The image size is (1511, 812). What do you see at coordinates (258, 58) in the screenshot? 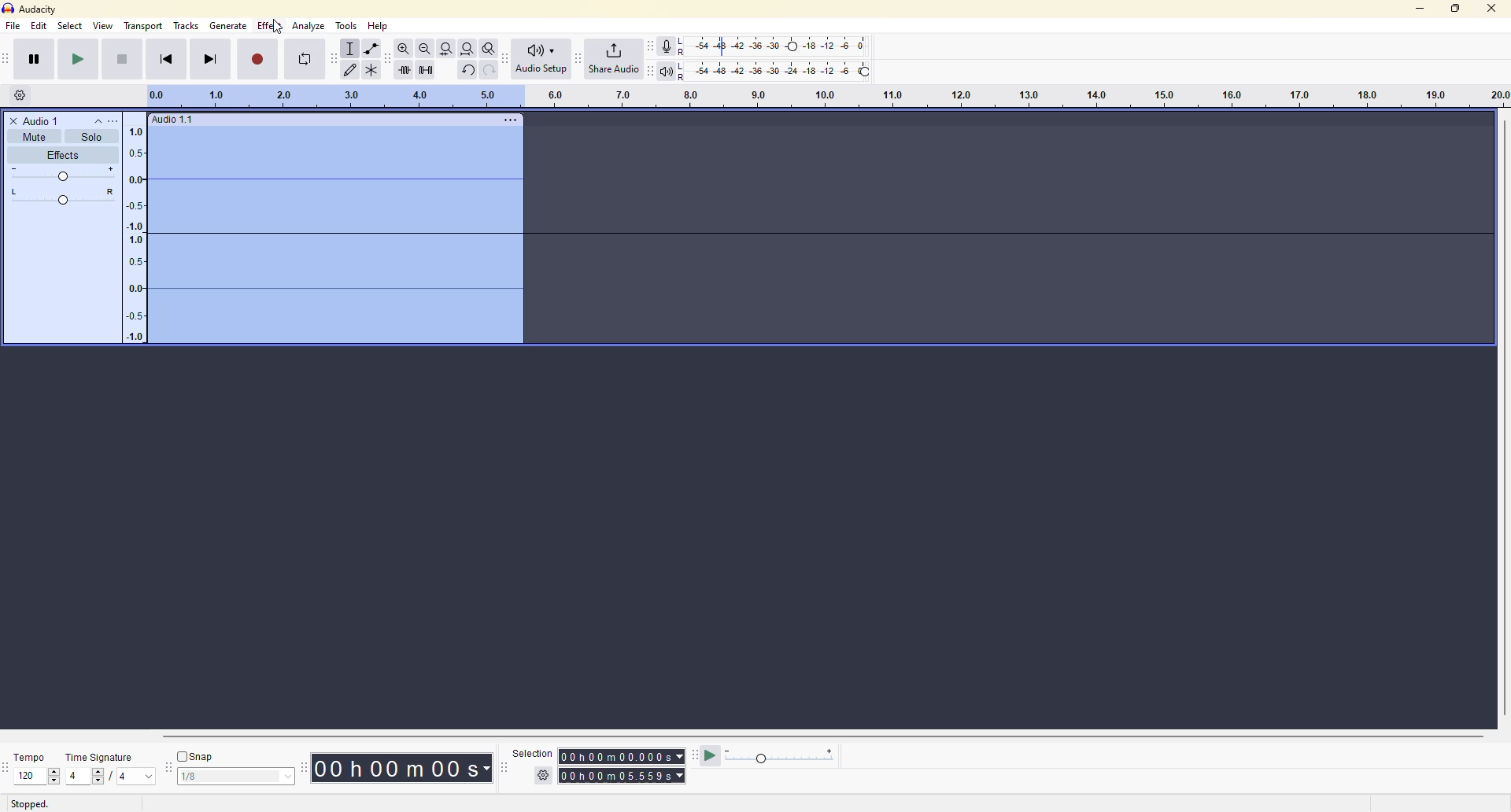
I see `record` at bounding box center [258, 58].